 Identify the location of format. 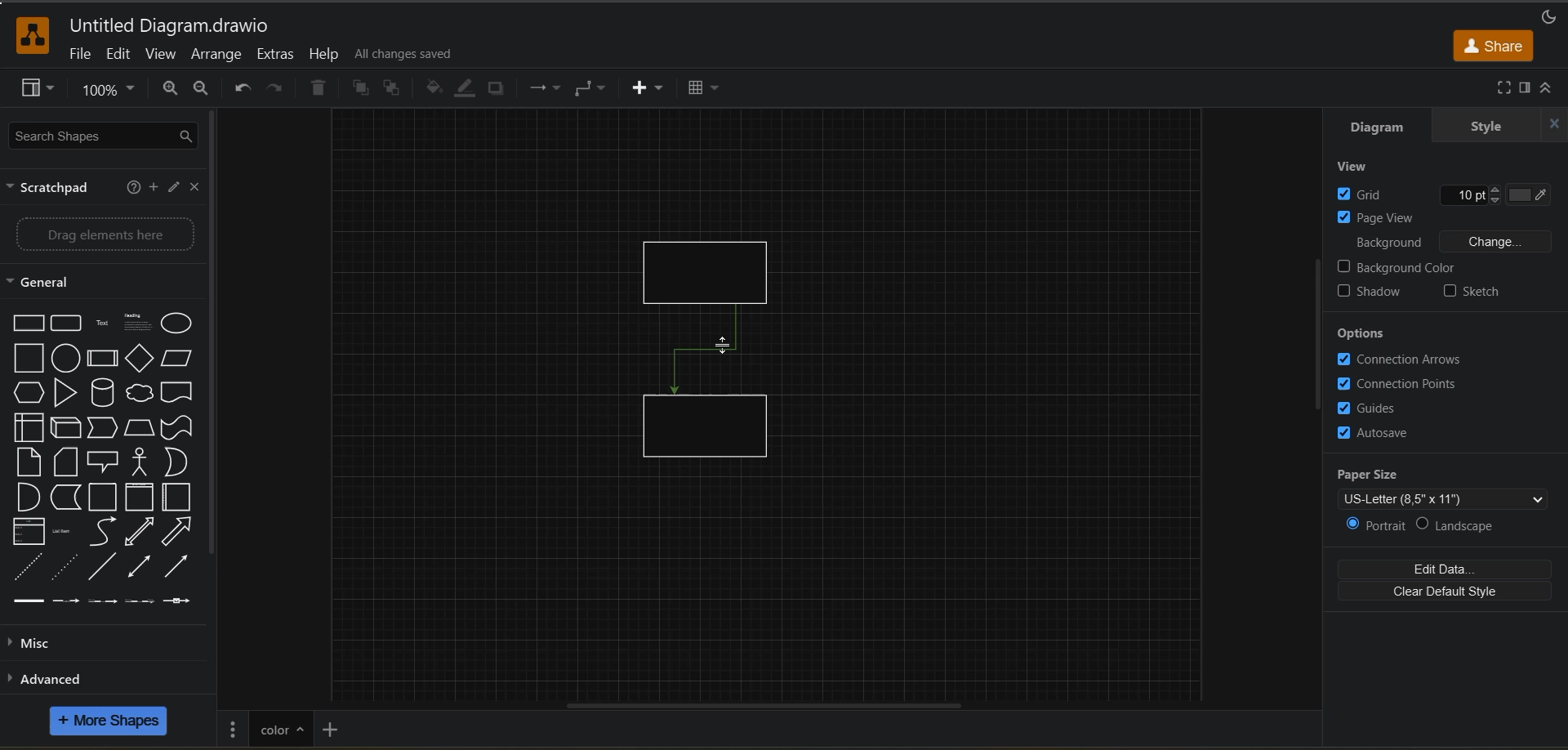
(1523, 88).